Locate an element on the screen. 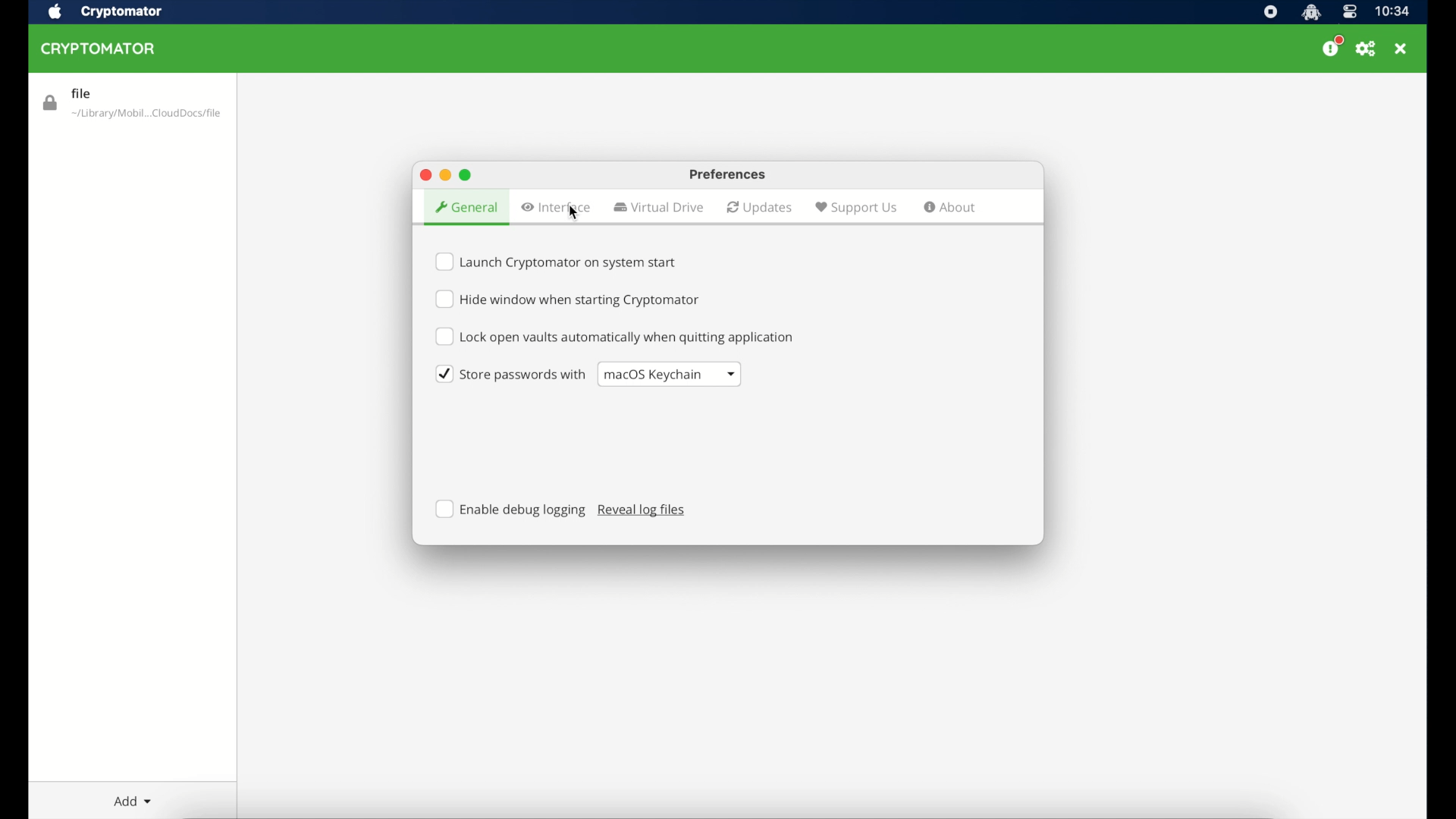 This screenshot has width=1456, height=819. apple icon is located at coordinates (55, 11).